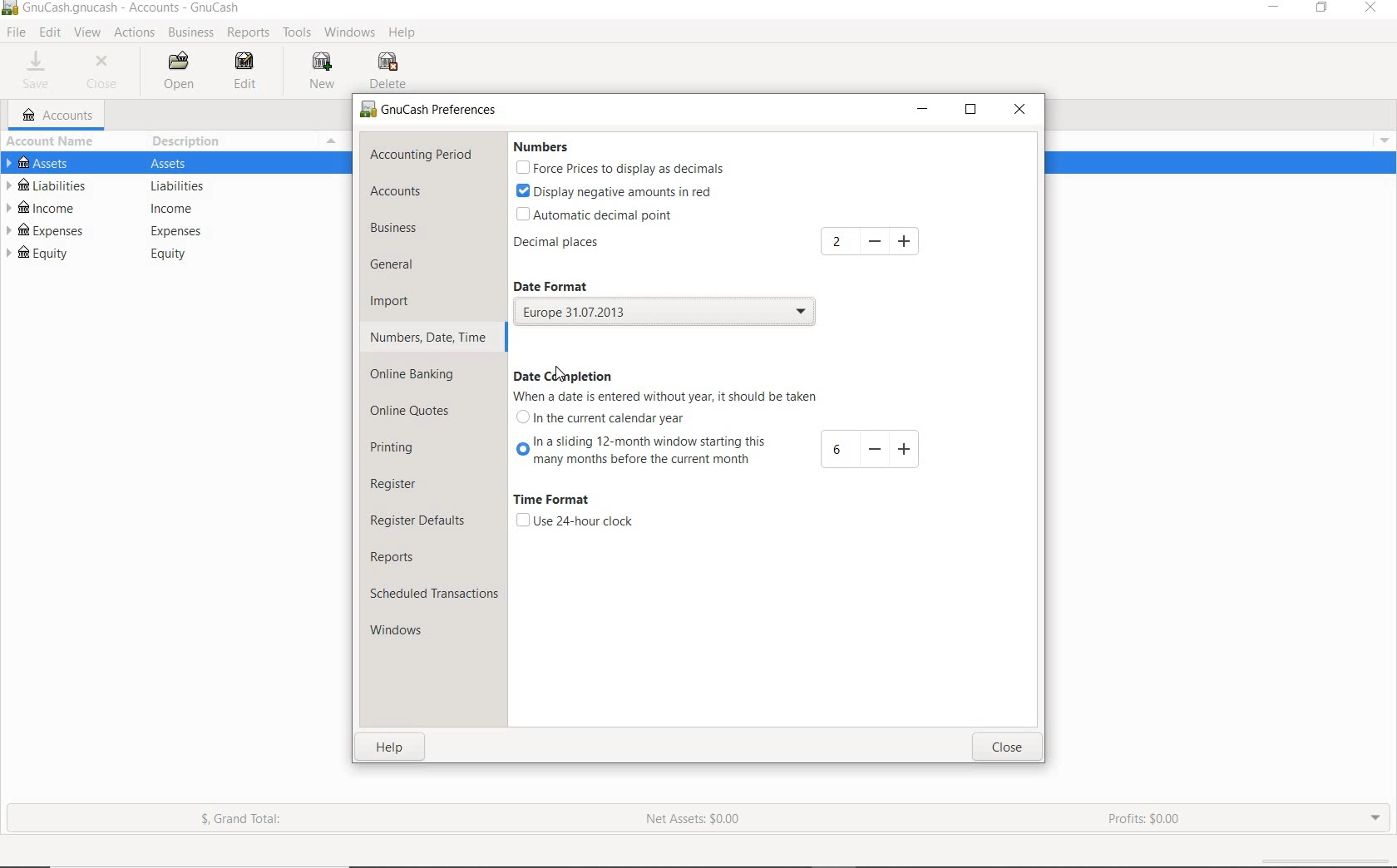 The image size is (1397, 868). What do you see at coordinates (180, 72) in the screenshot?
I see `OPEN` at bounding box center [180, 72].